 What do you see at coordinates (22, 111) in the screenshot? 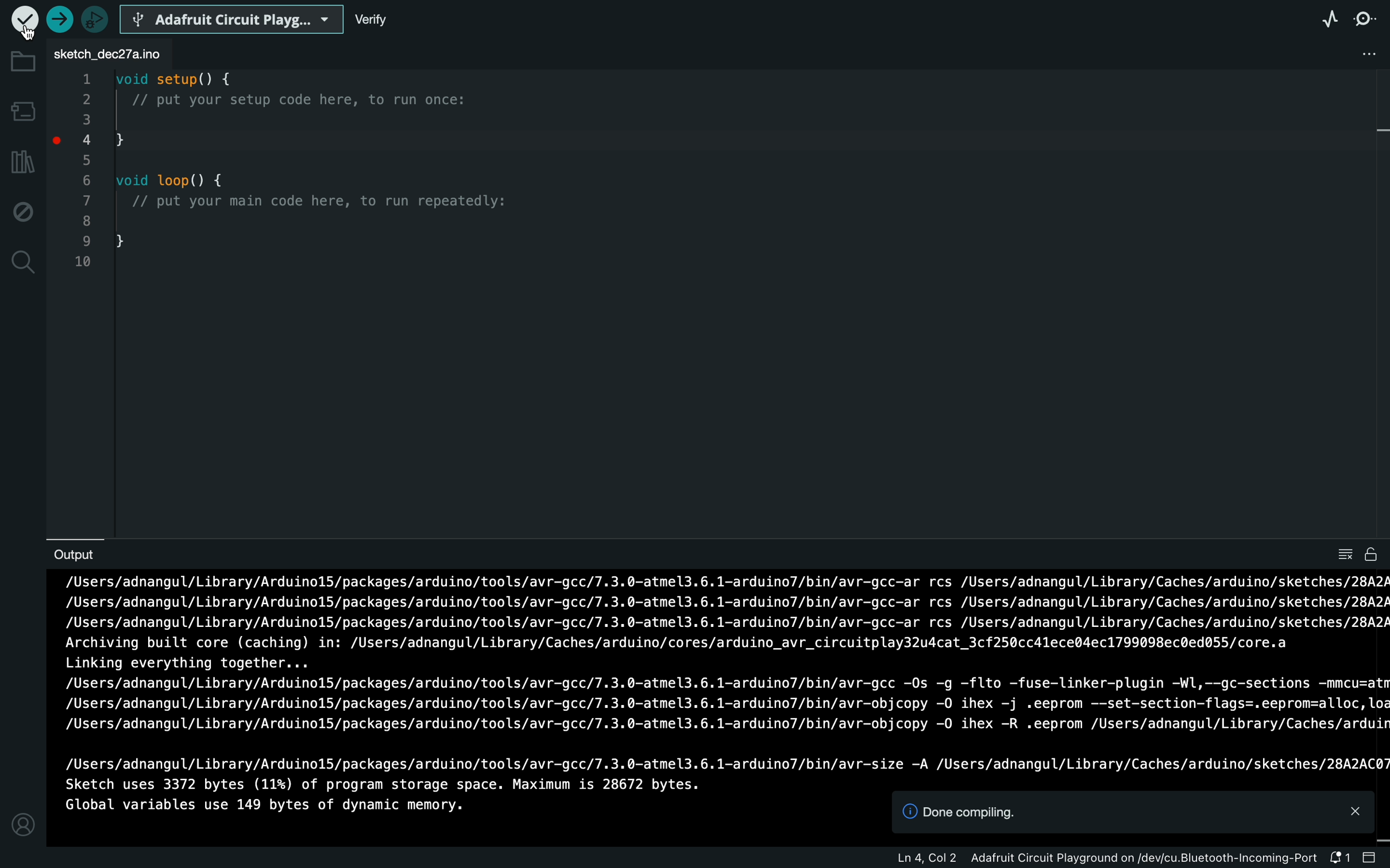
I see `board manager` at bounding box center [22, 111].